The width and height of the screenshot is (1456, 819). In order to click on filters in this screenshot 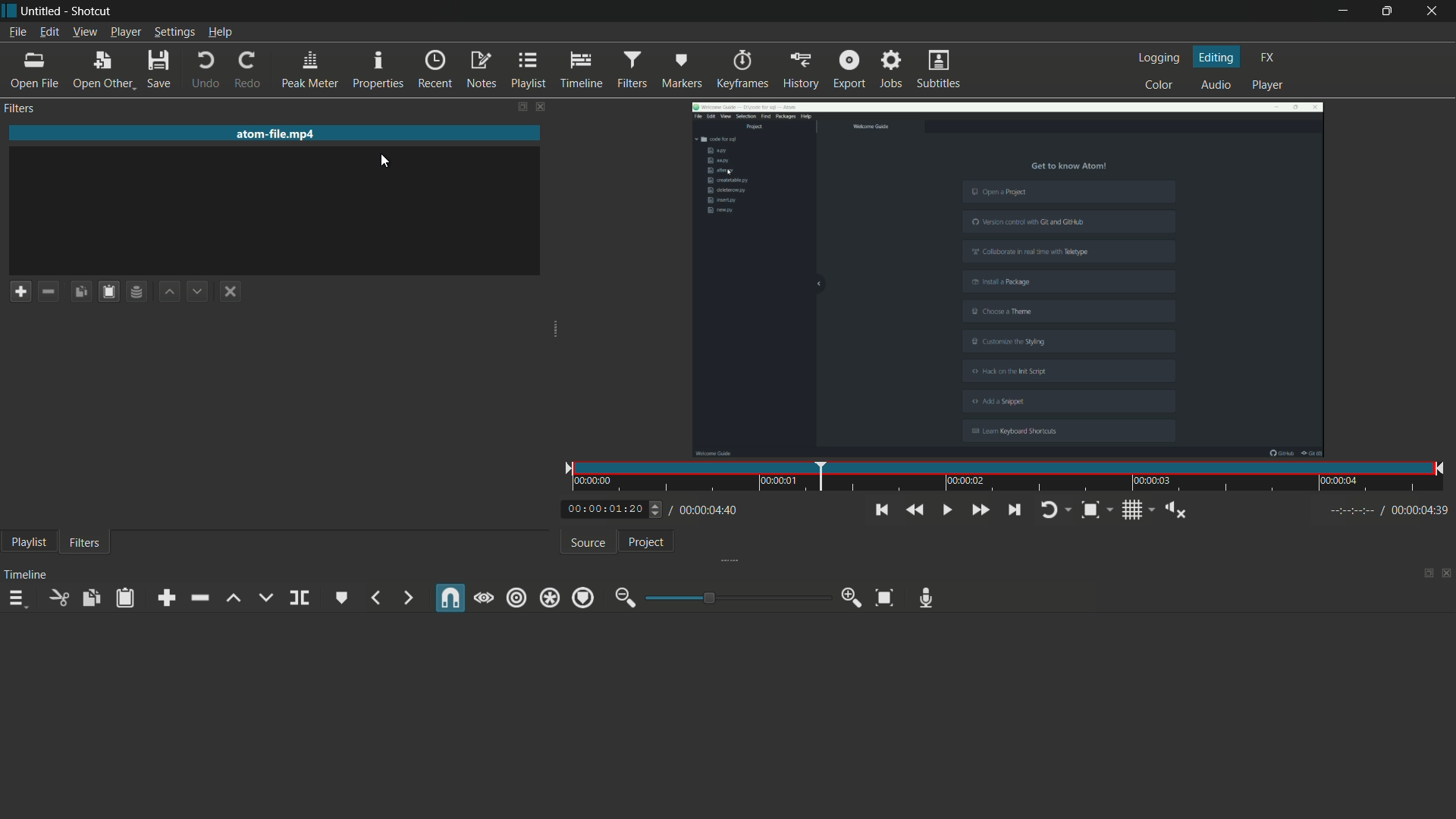, I will do `click(20, 108)`.